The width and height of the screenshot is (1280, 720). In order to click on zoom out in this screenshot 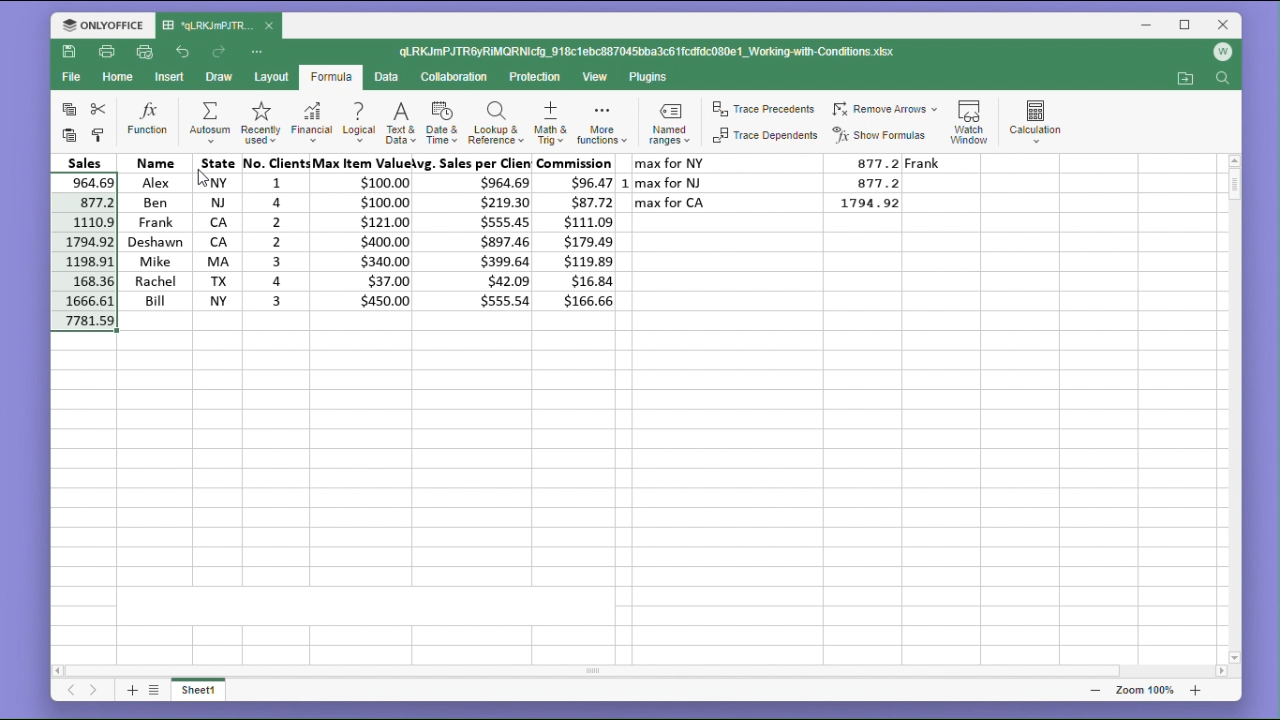, I will do `click(1095, 690)`.